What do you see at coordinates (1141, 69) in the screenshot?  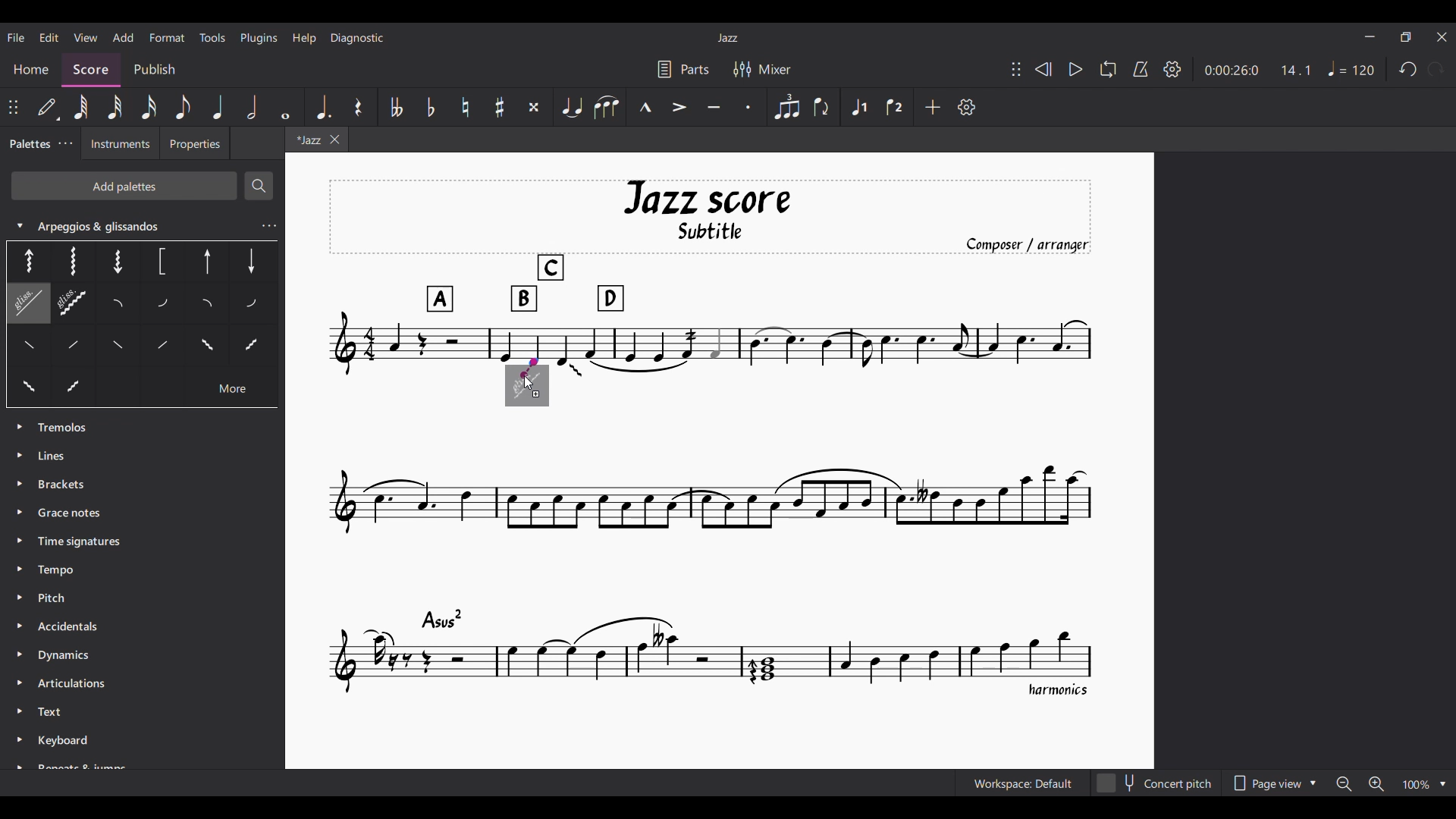 I see `Metronome` at bounding box center [1141, 69].